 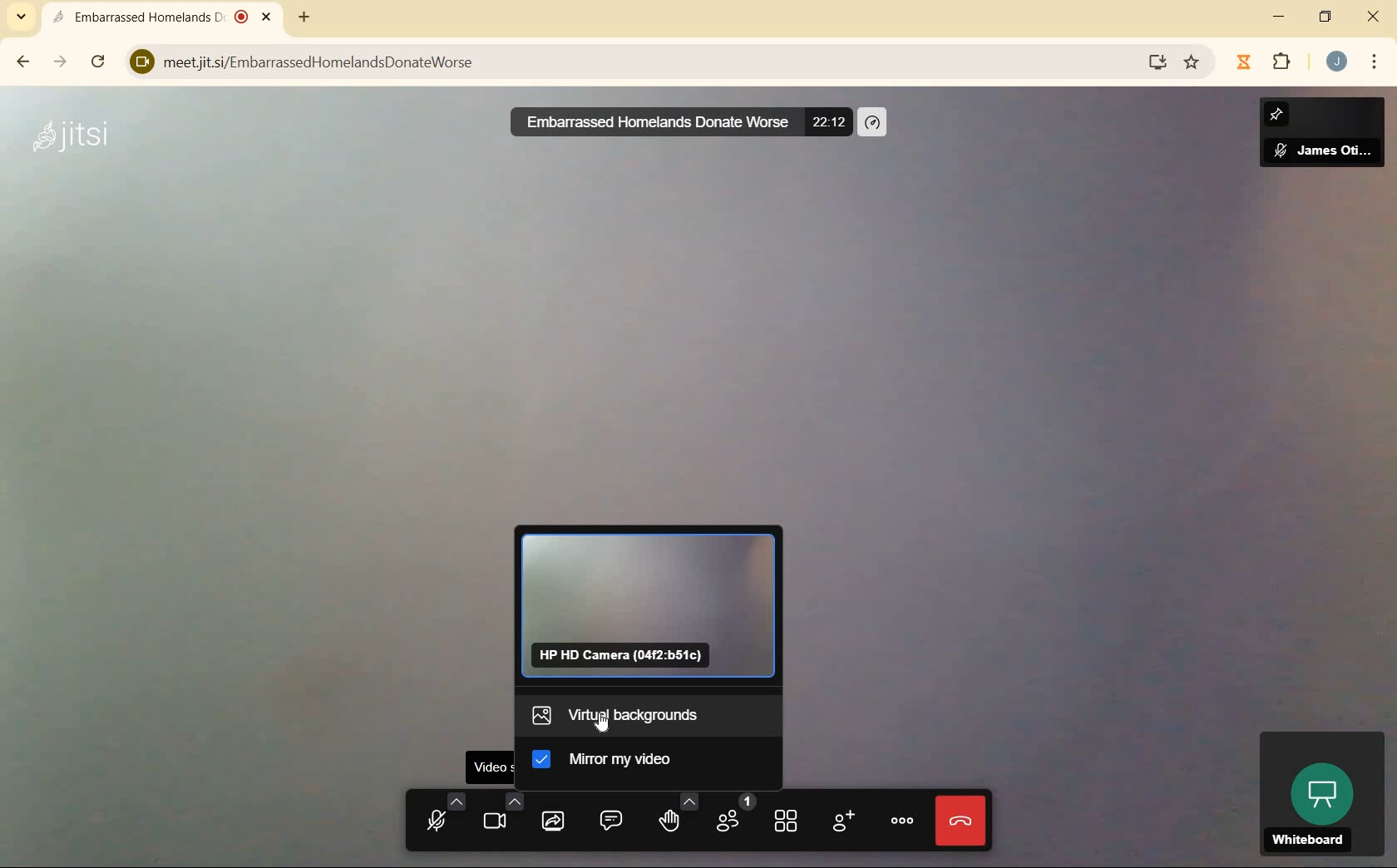 What do you see at coordinates (24, 62) in the screenshot?
I see `back` at bounding box center [24, 62].